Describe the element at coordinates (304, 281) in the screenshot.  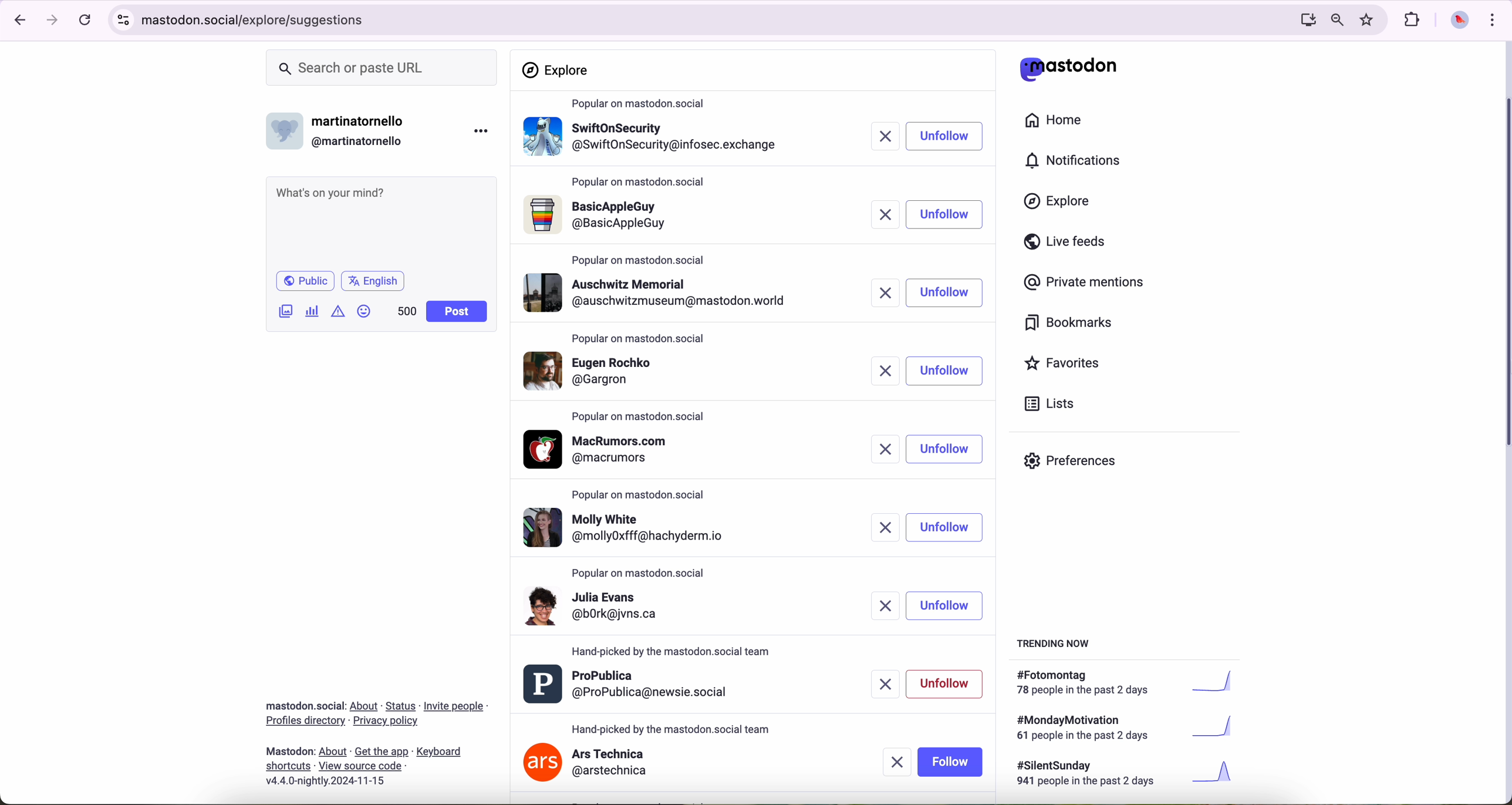
I see `public` at that location.